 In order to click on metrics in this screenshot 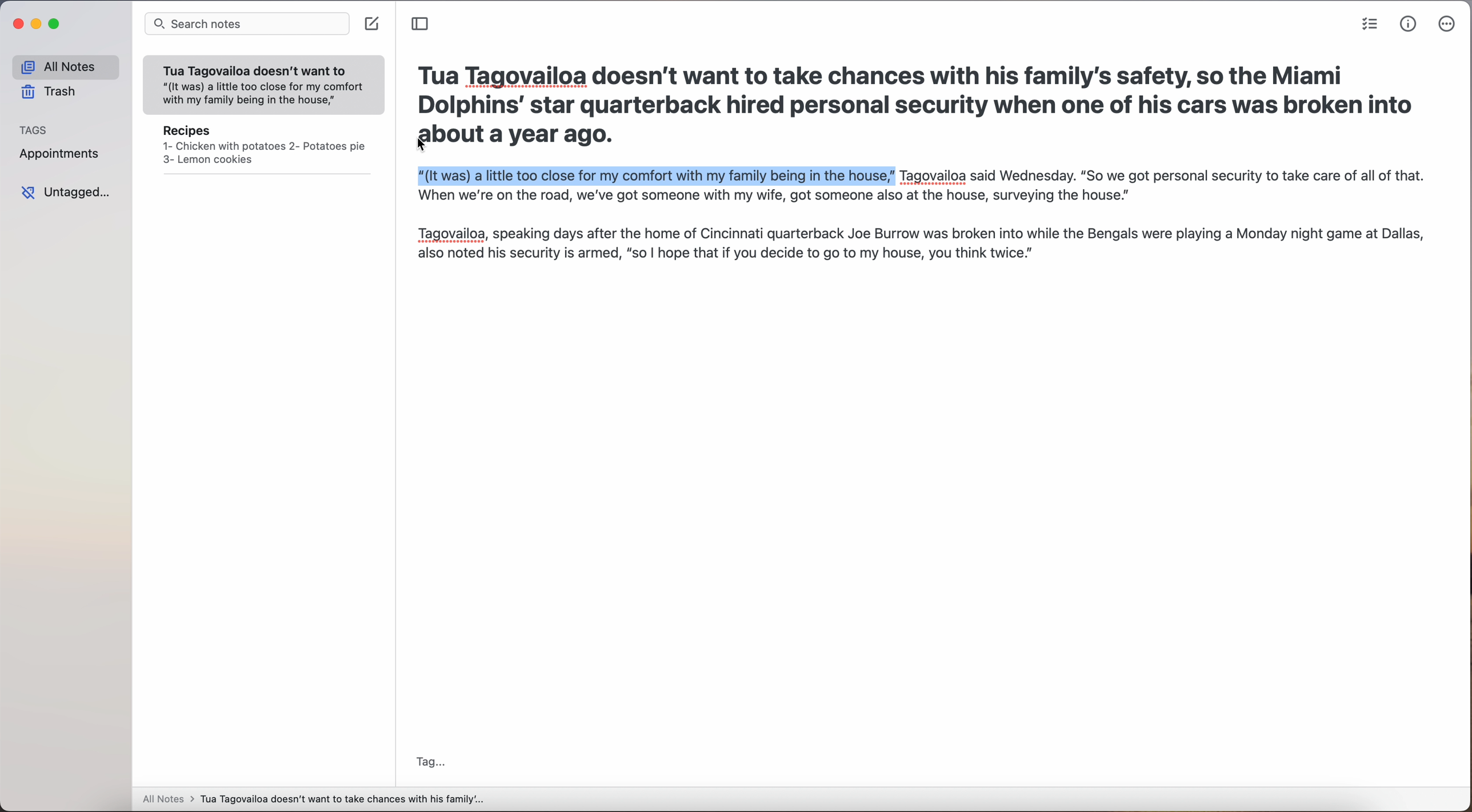, I will do `click(1409, 25)`.